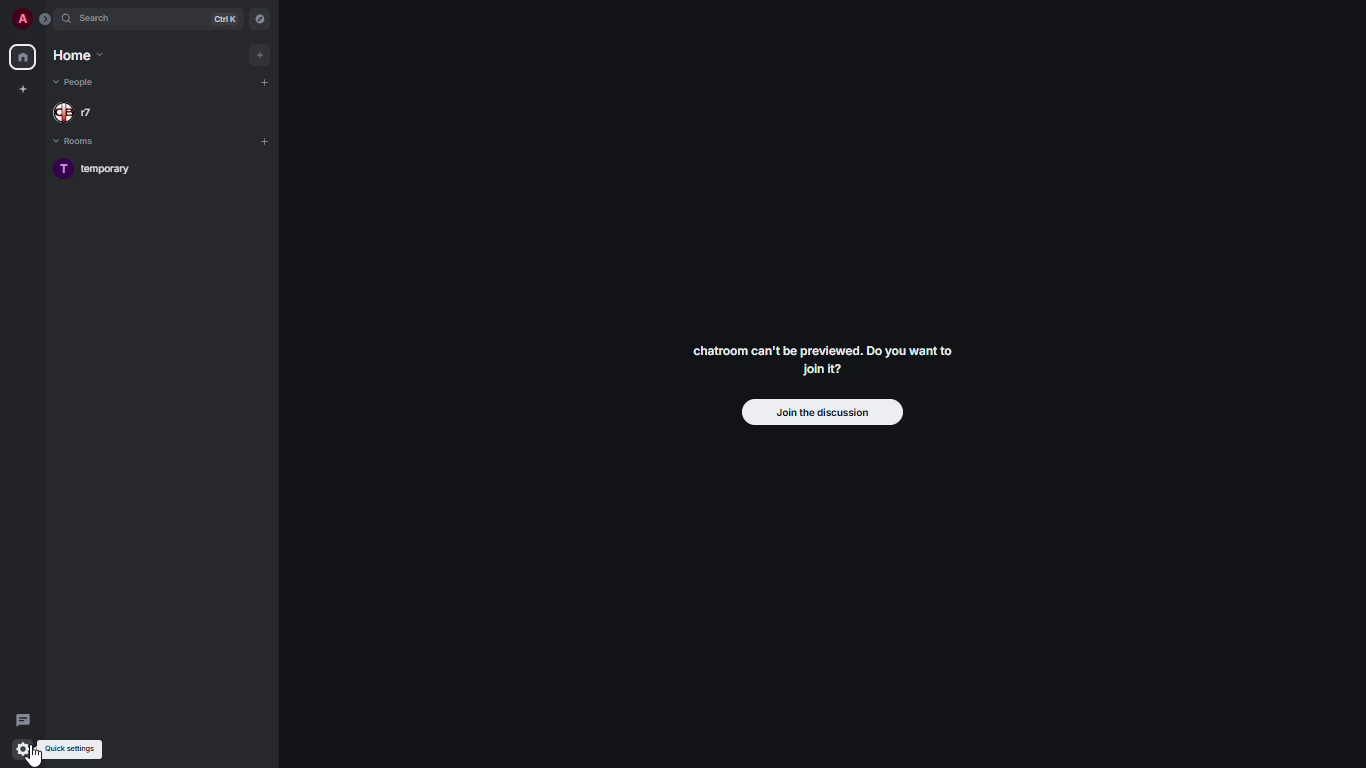  What do you see at coordinates (22, 716) in the screenshot?
I see `threads` at bounding box center [22, 716].